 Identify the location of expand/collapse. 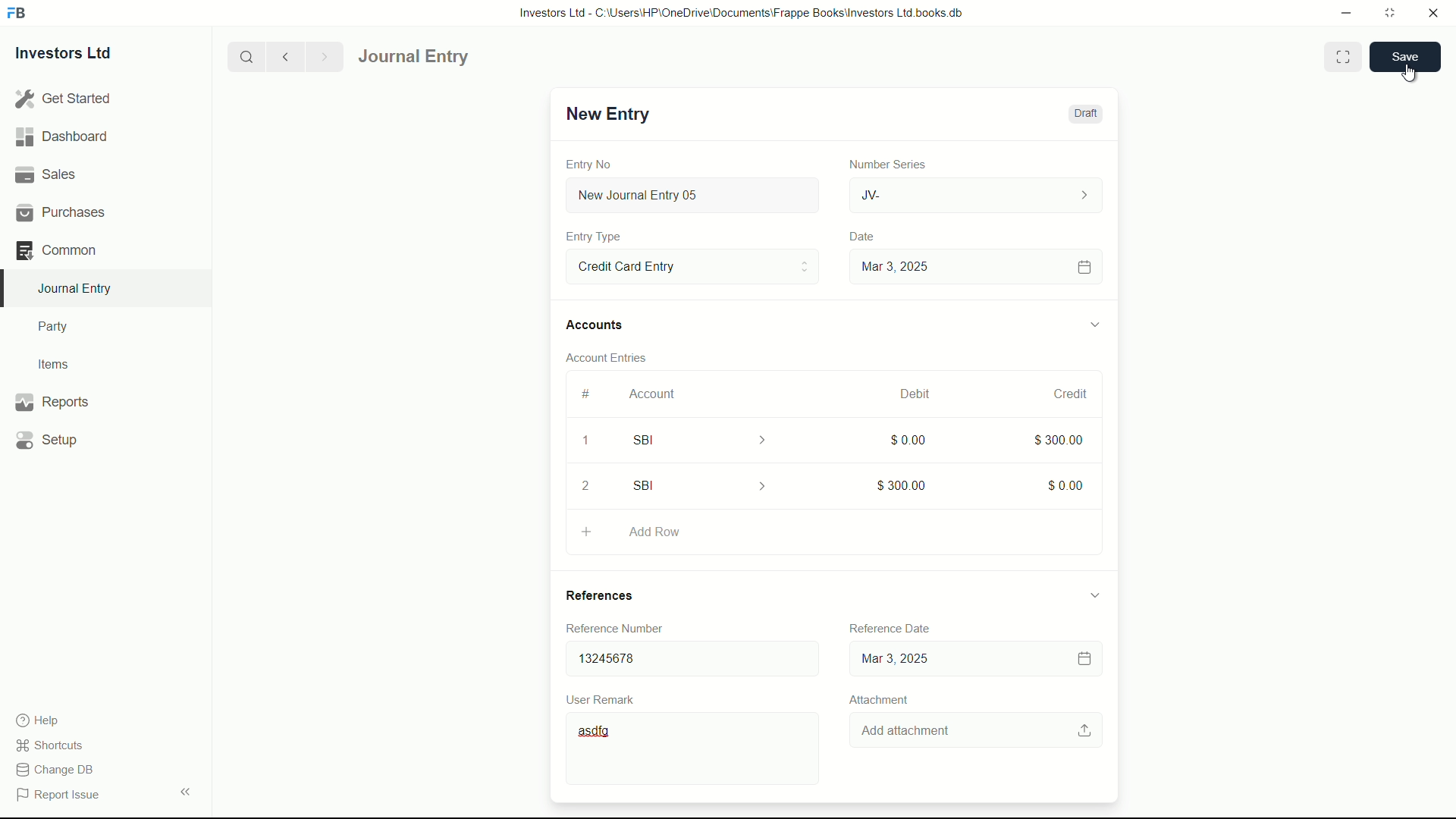
(185, 790).